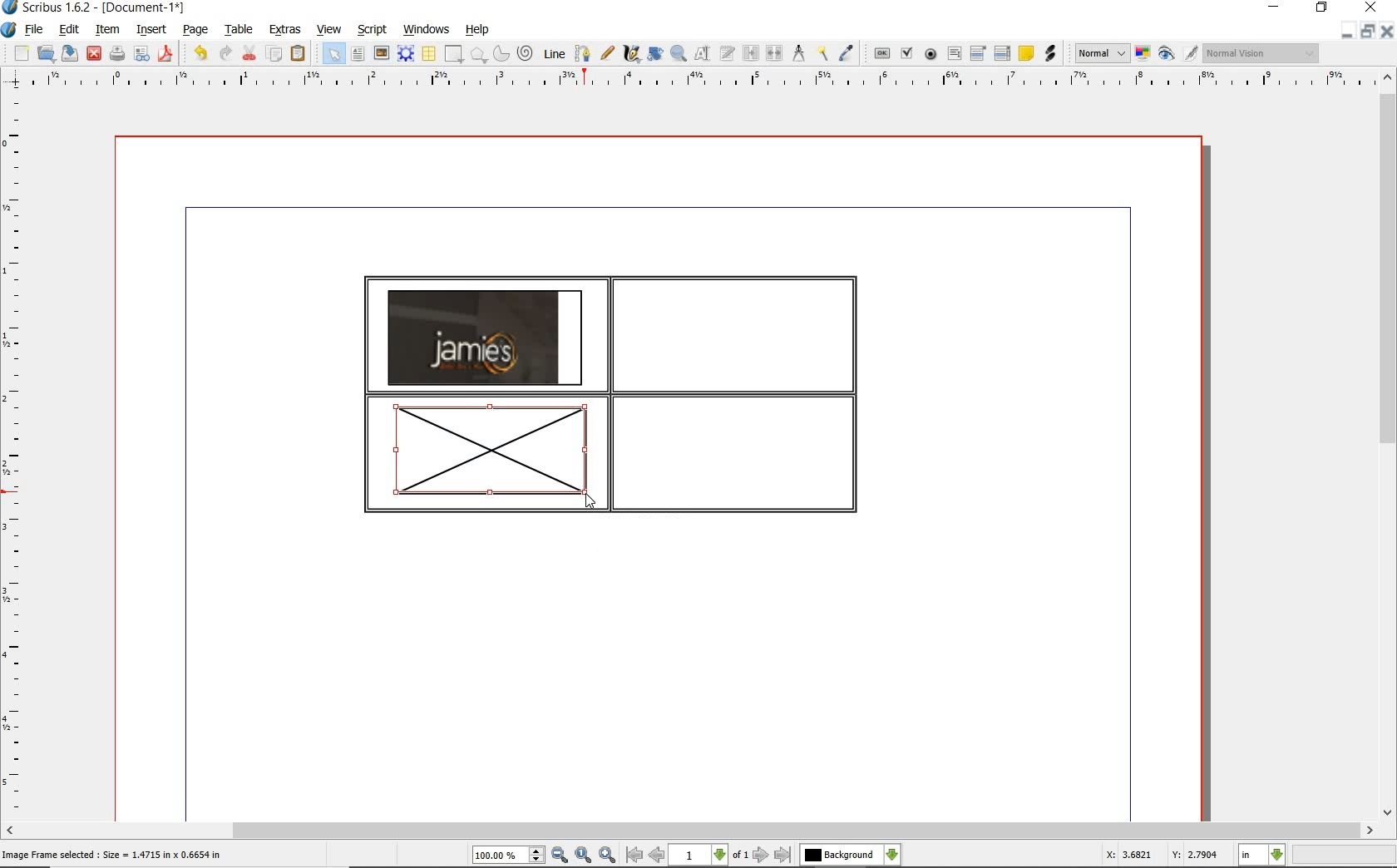 Image resolution: width=1397 pixels, height=868 pixels. Describe the element at coordinates (689, 831) in the screenshot. I see `scrollbar` at that location.